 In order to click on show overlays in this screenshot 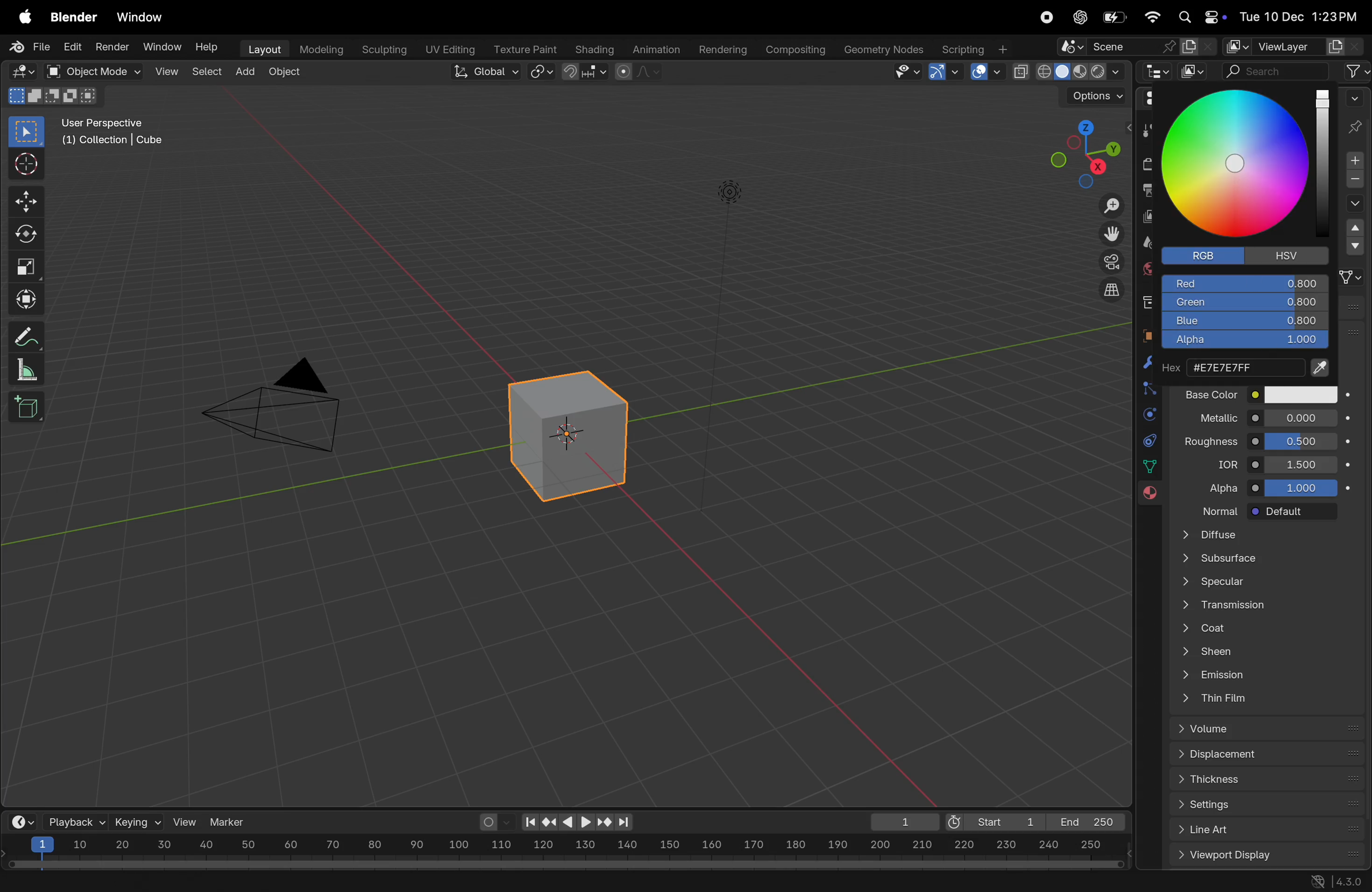, I will do `click(985, 72)`.